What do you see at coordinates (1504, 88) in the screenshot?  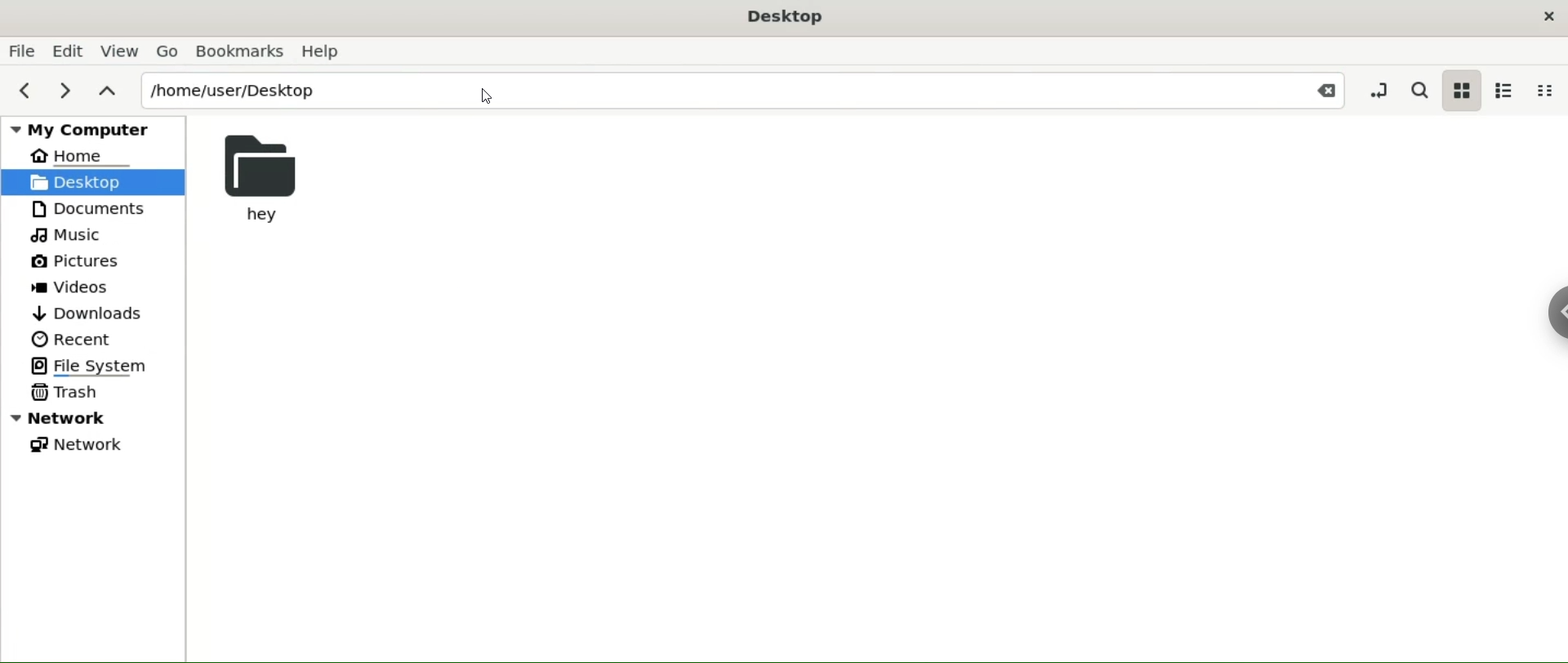 I see `list view` at bounding box center [1504, 88].